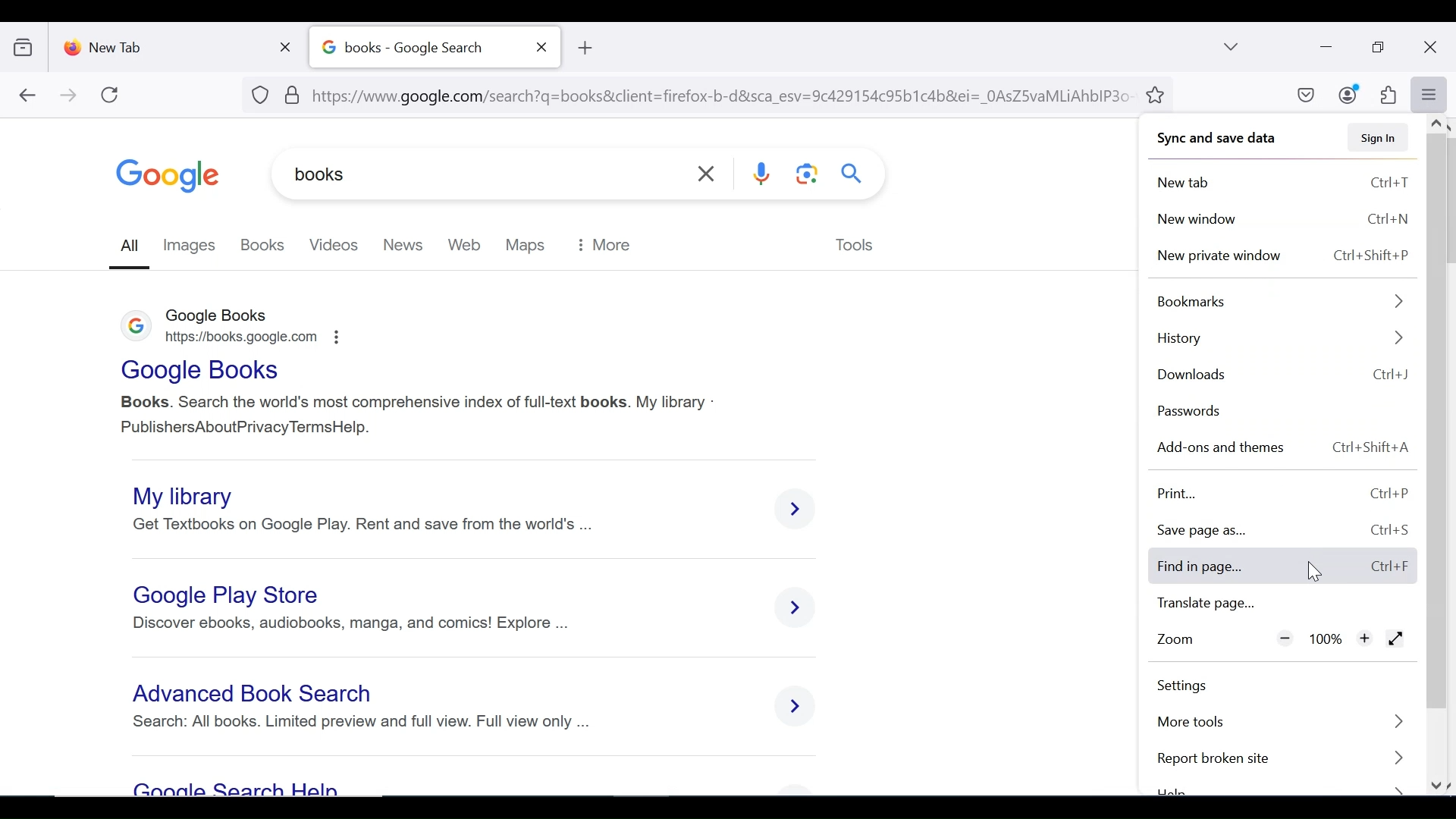 This screenshot has height=819, width=1456. Describe the element at coordinates (1283, 566) in the screenshot. I see `print` at that location.